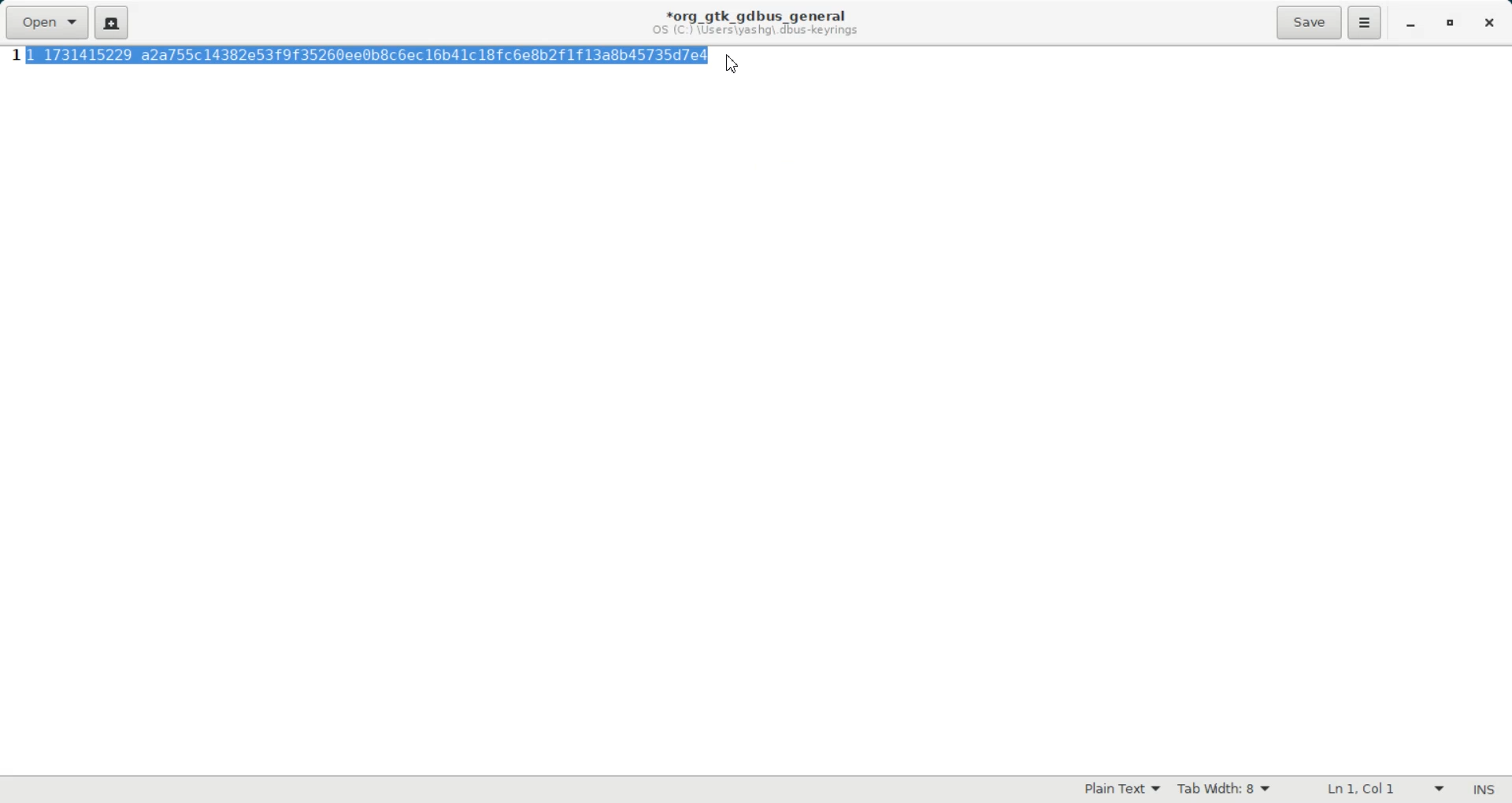 The height and width of the screenshot is (803, 1512). What do you see at coordinates (1410, 24) in the screenshot?
I see `Minimize` at bounding box center [1410, 24].